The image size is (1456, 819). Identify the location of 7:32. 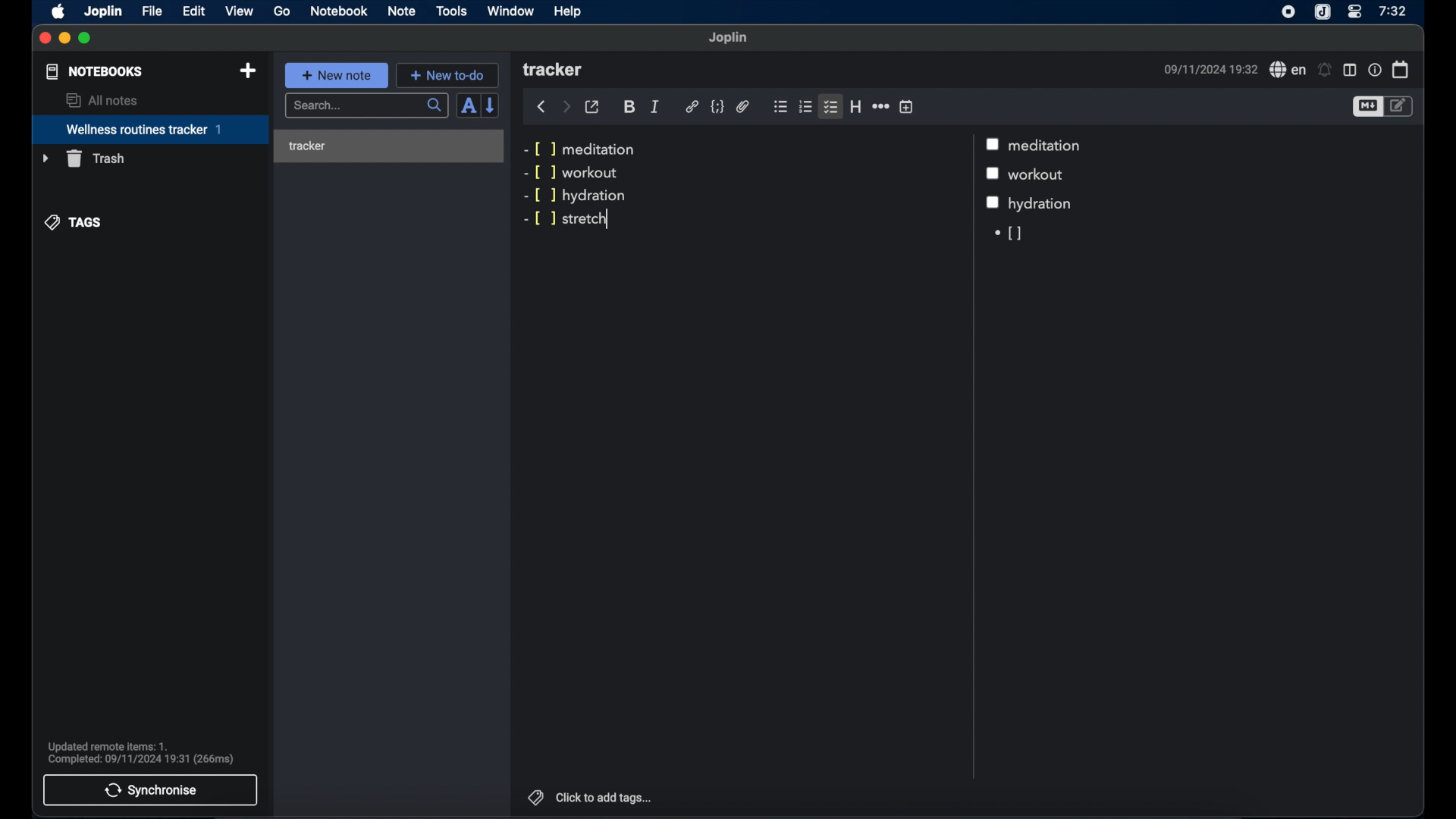
(1392, 11).